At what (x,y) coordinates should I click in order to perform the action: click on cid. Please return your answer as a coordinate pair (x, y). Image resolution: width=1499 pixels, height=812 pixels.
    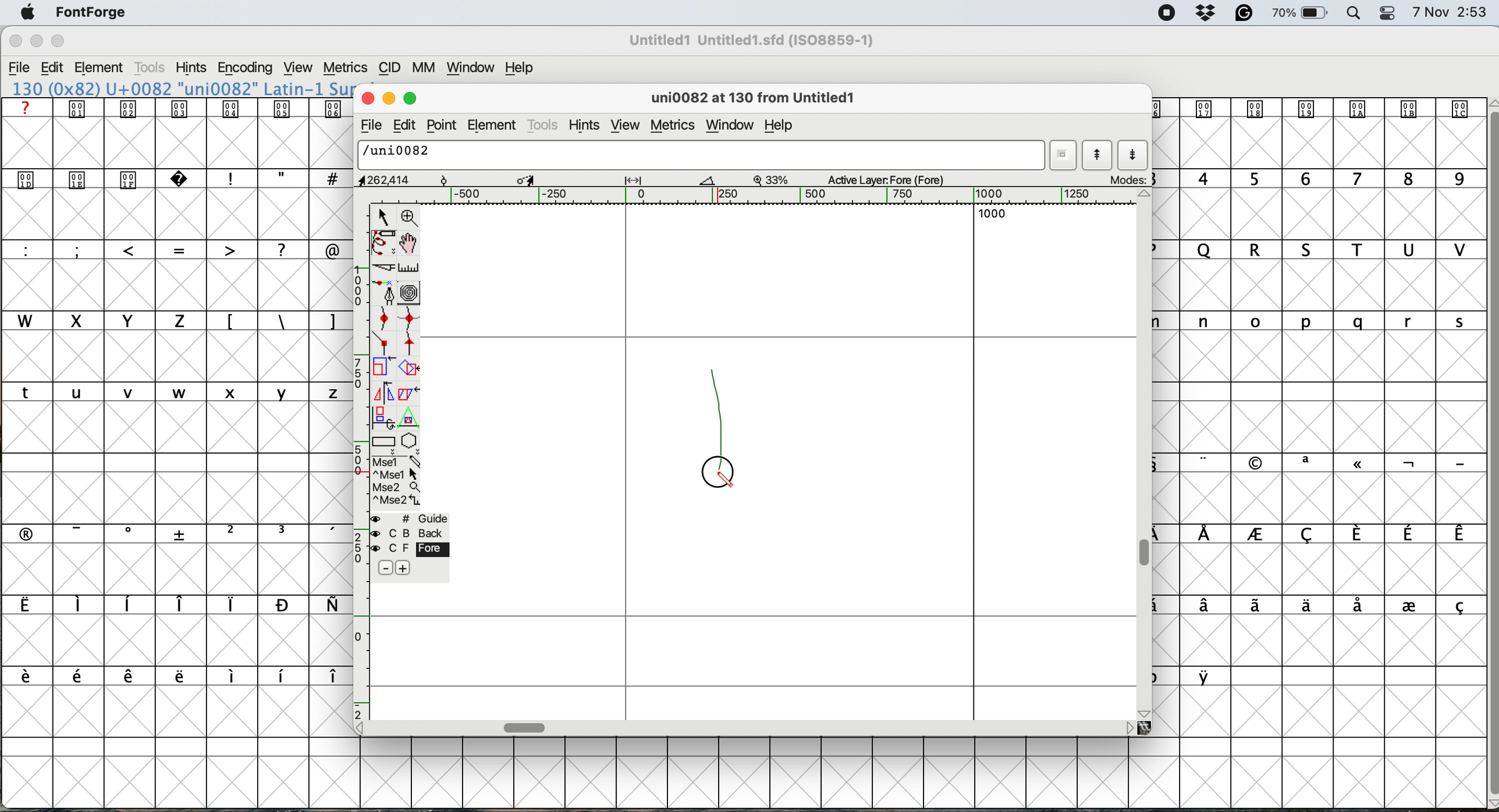
    Looking at the image, I should click on (391, 69).